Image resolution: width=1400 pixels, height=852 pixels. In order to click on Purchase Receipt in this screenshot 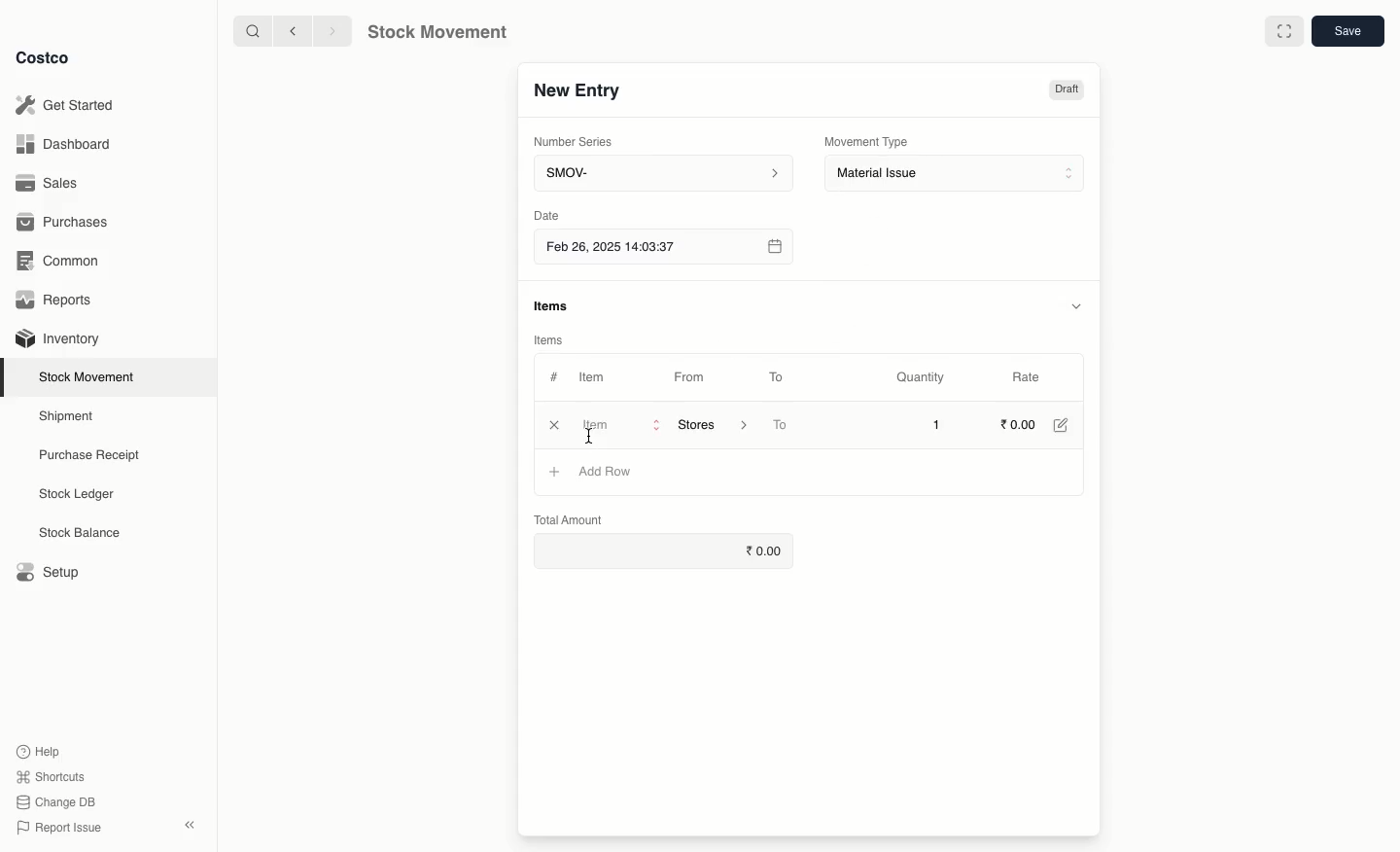, I will do `click(94, 454)`.